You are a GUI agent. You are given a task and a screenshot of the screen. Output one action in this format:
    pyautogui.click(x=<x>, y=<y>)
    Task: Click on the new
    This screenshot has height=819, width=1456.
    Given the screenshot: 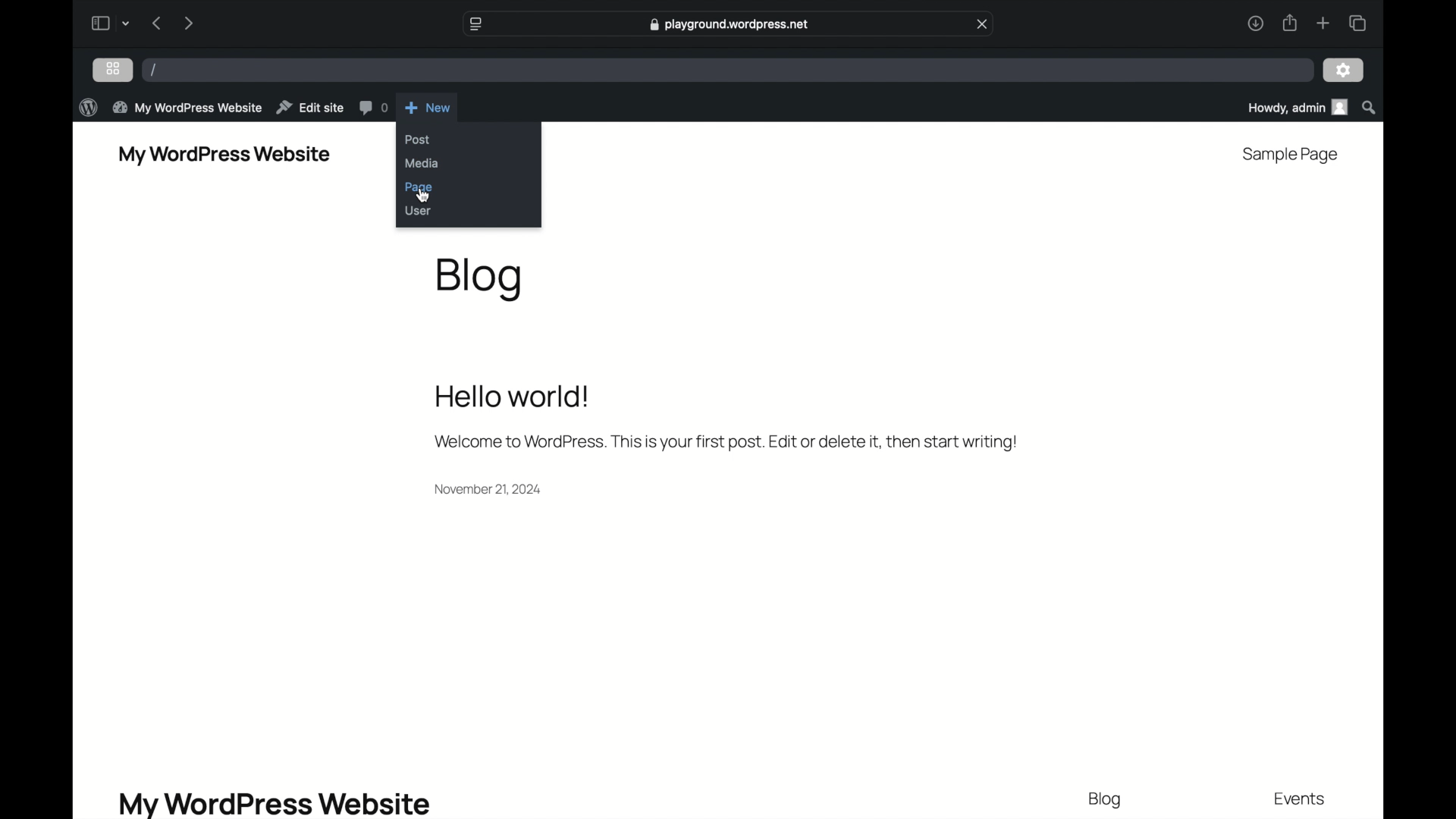 What is the action you would take?
    pyautogui.click(x=428, y=107)
    